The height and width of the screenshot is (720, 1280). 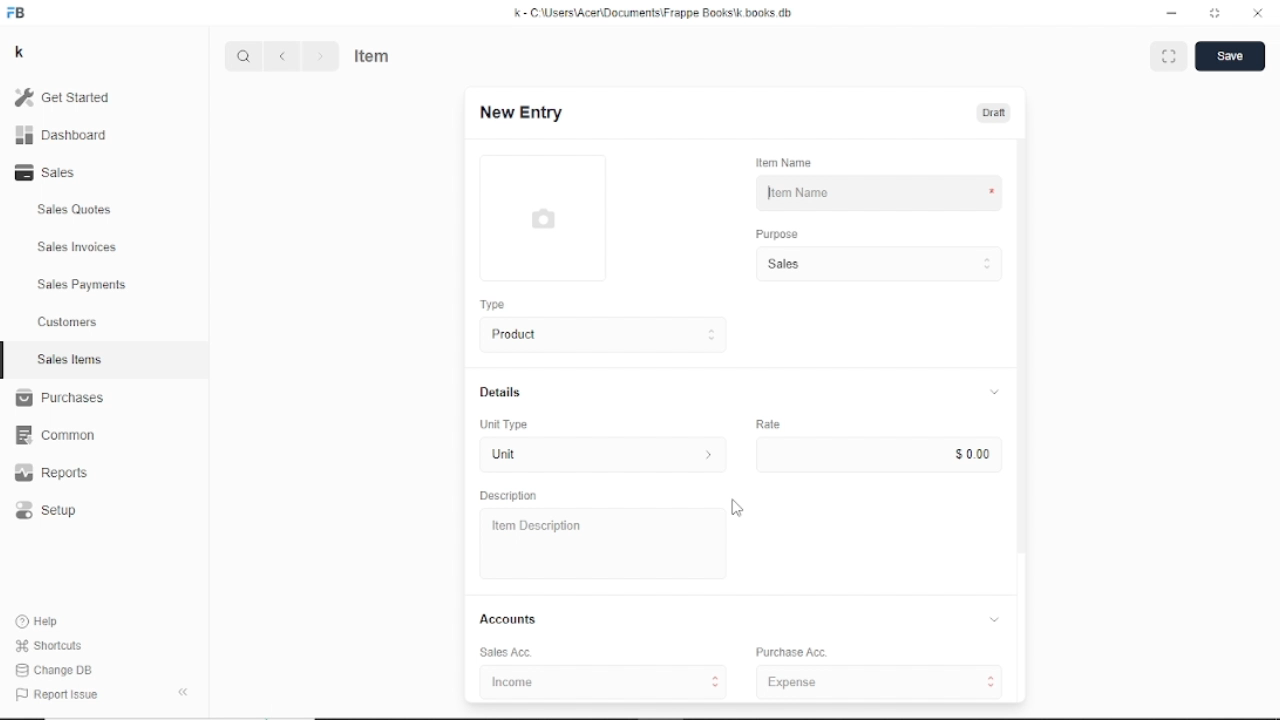 I want to click on Details, so click(x=739, y=392).